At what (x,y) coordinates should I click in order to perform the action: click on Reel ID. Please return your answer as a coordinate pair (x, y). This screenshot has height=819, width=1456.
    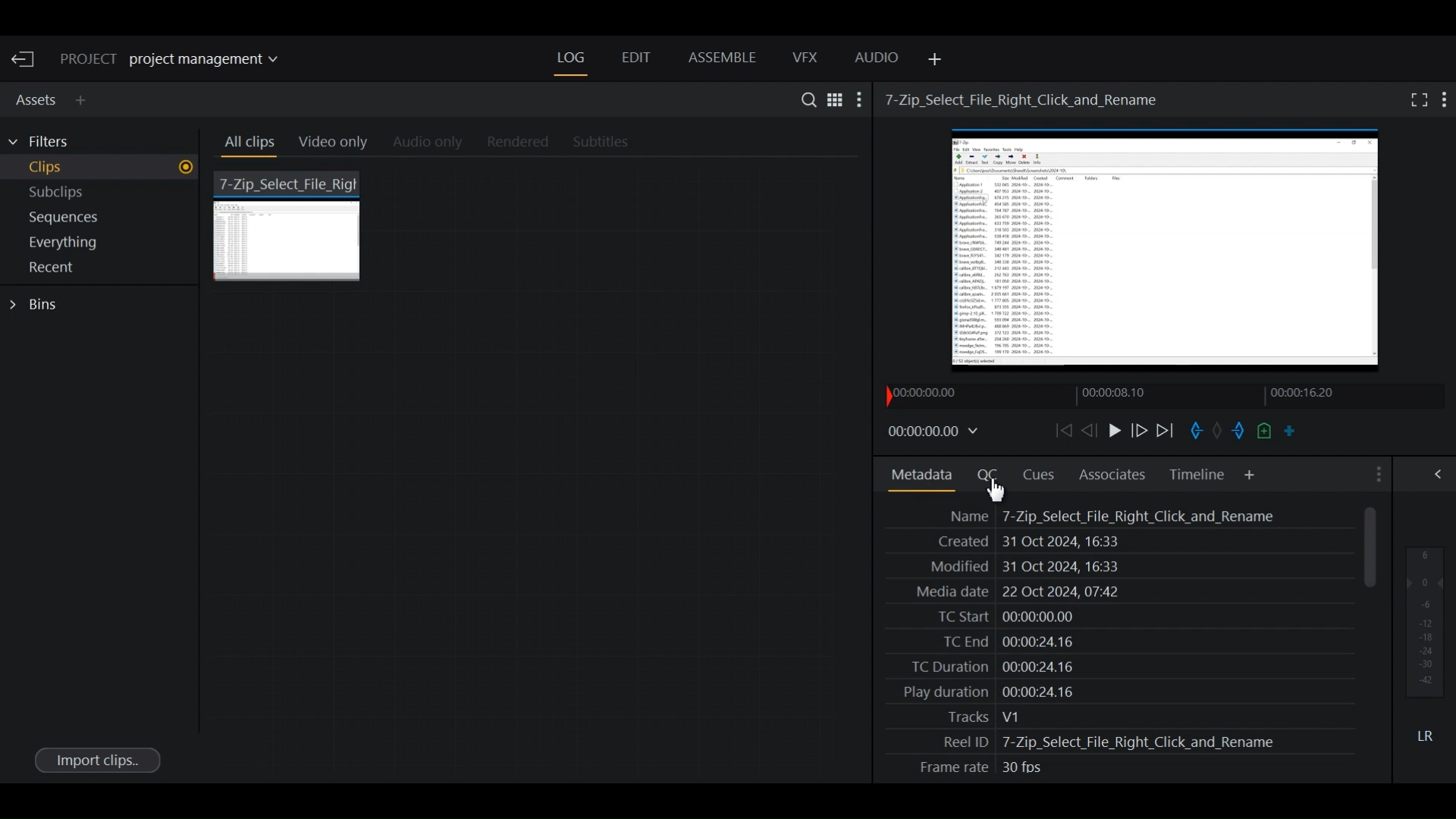
    Looking at the image, I should click on (1094, 740).